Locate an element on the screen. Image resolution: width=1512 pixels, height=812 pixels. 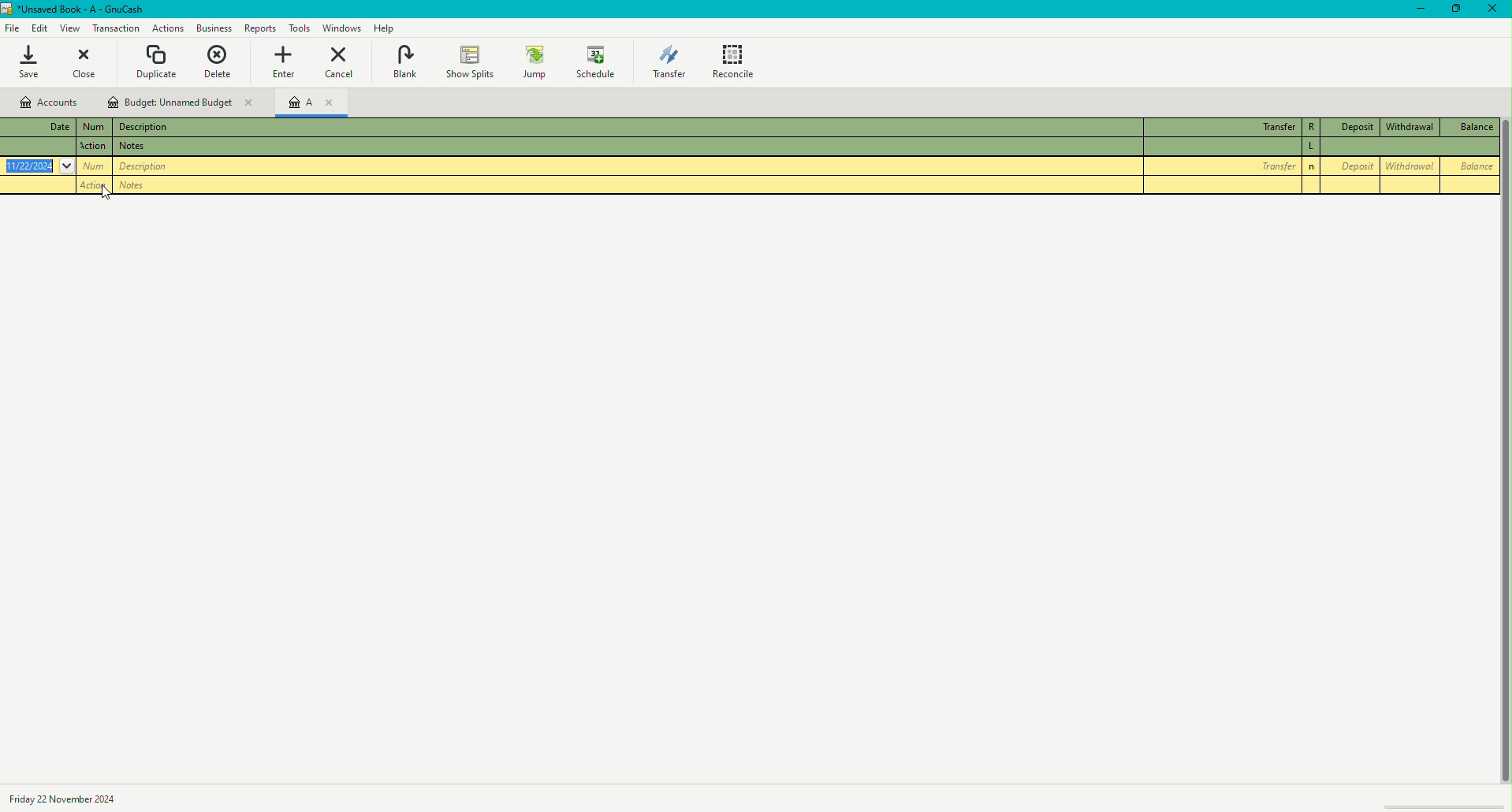
Delete is located at coordinates (218, 62).